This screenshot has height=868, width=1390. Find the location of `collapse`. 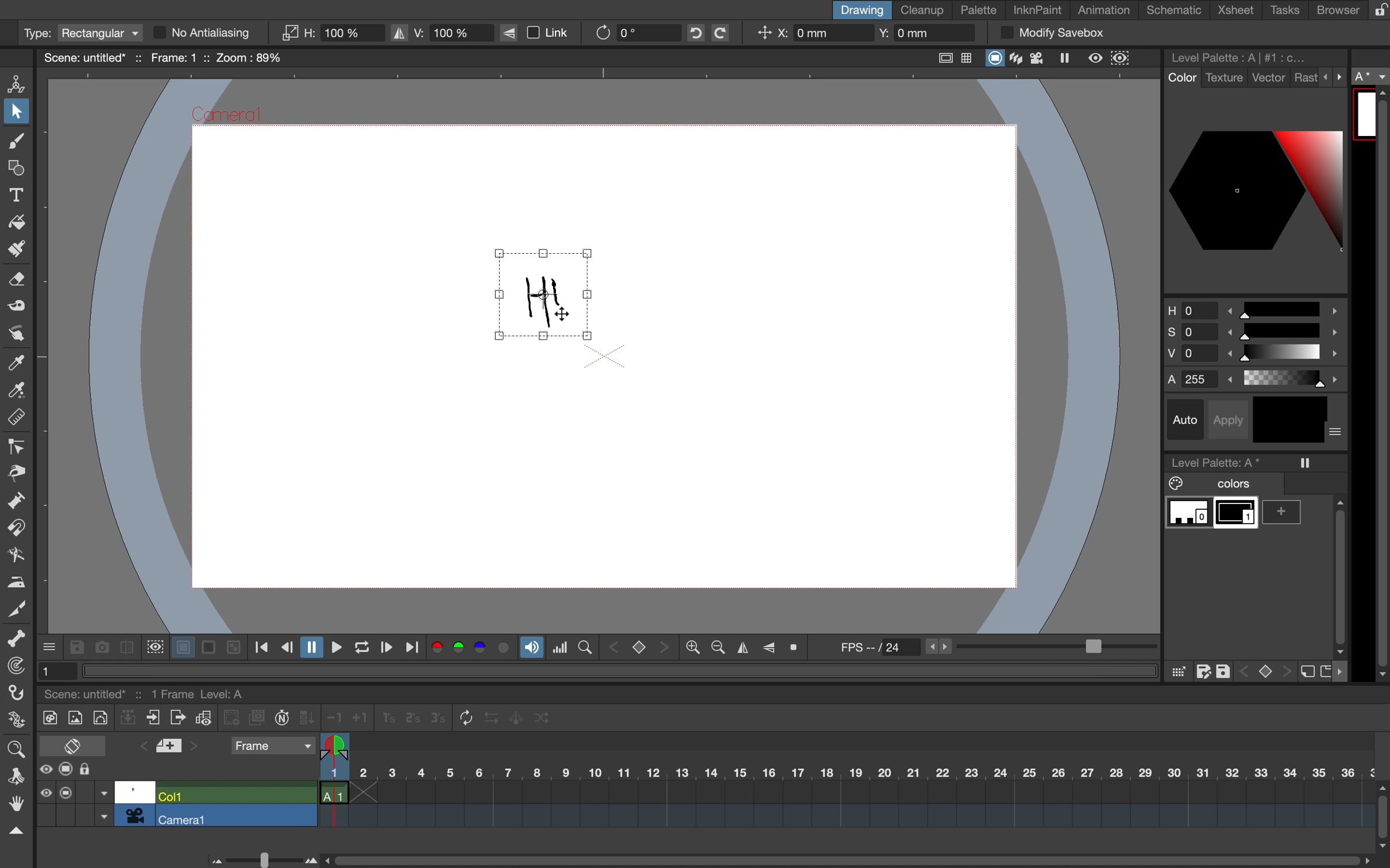

collapse is located at coordinates (15, 831).